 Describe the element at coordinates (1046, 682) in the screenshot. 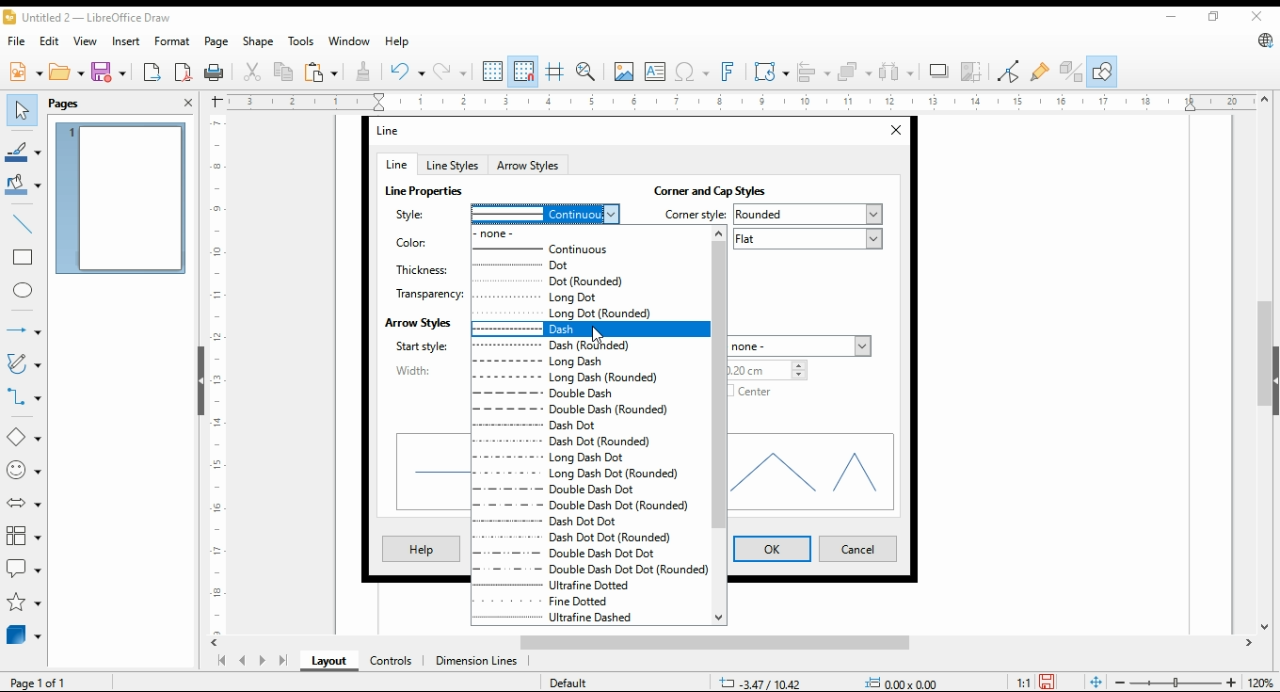

I see `save` at that location.